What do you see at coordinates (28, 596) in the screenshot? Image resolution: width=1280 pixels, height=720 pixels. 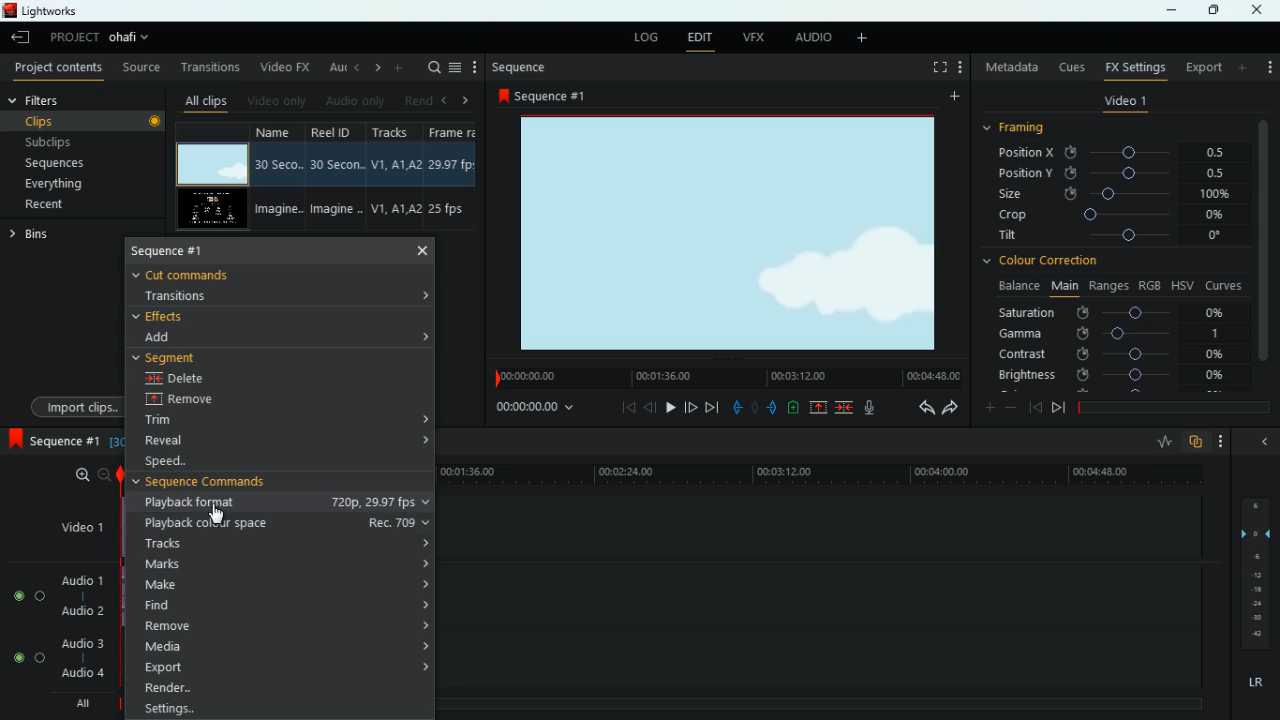 I see `Audio` at bounding box center [28, 596].